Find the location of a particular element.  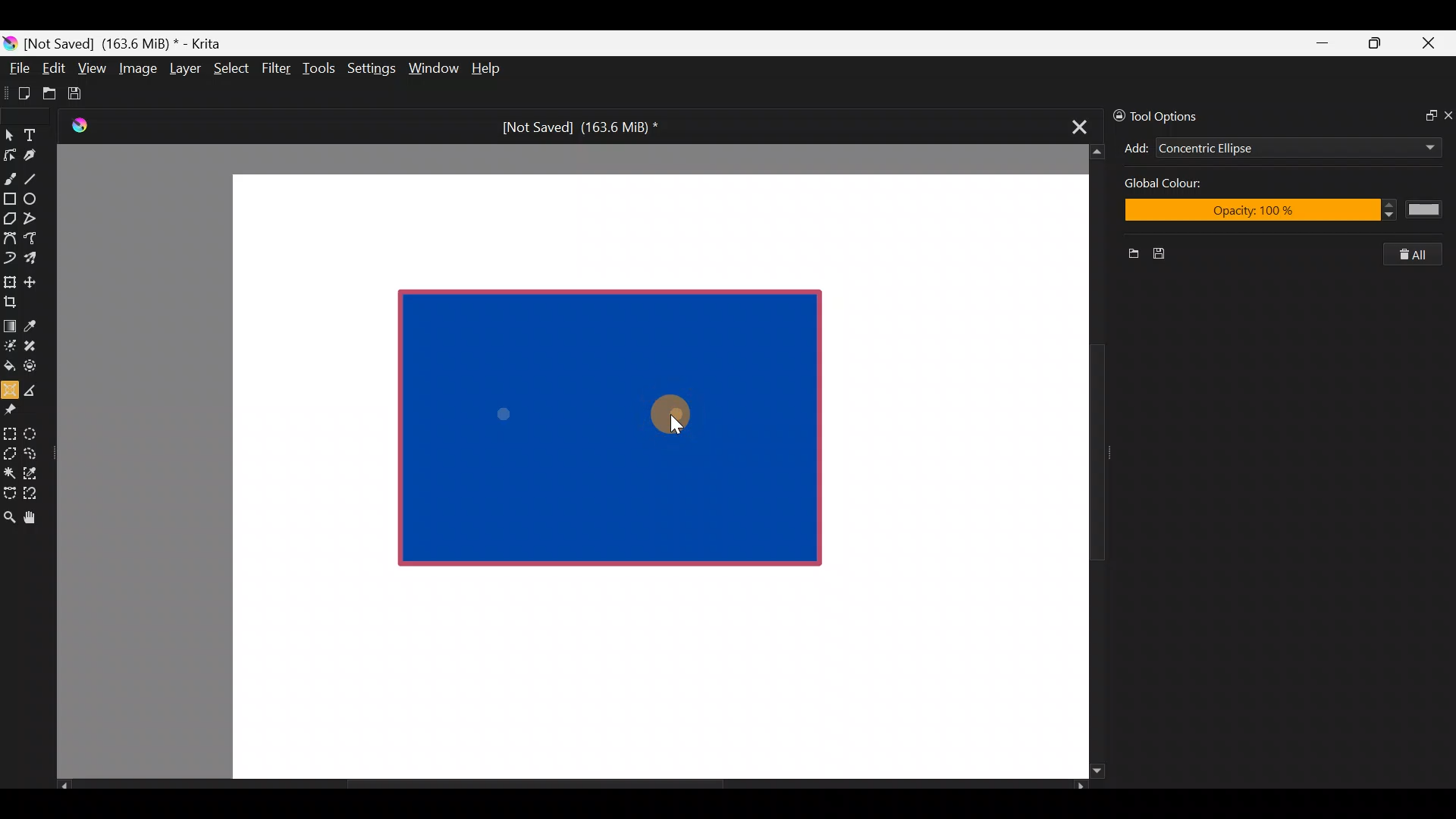

Settings is located at coordinates (373, 71).